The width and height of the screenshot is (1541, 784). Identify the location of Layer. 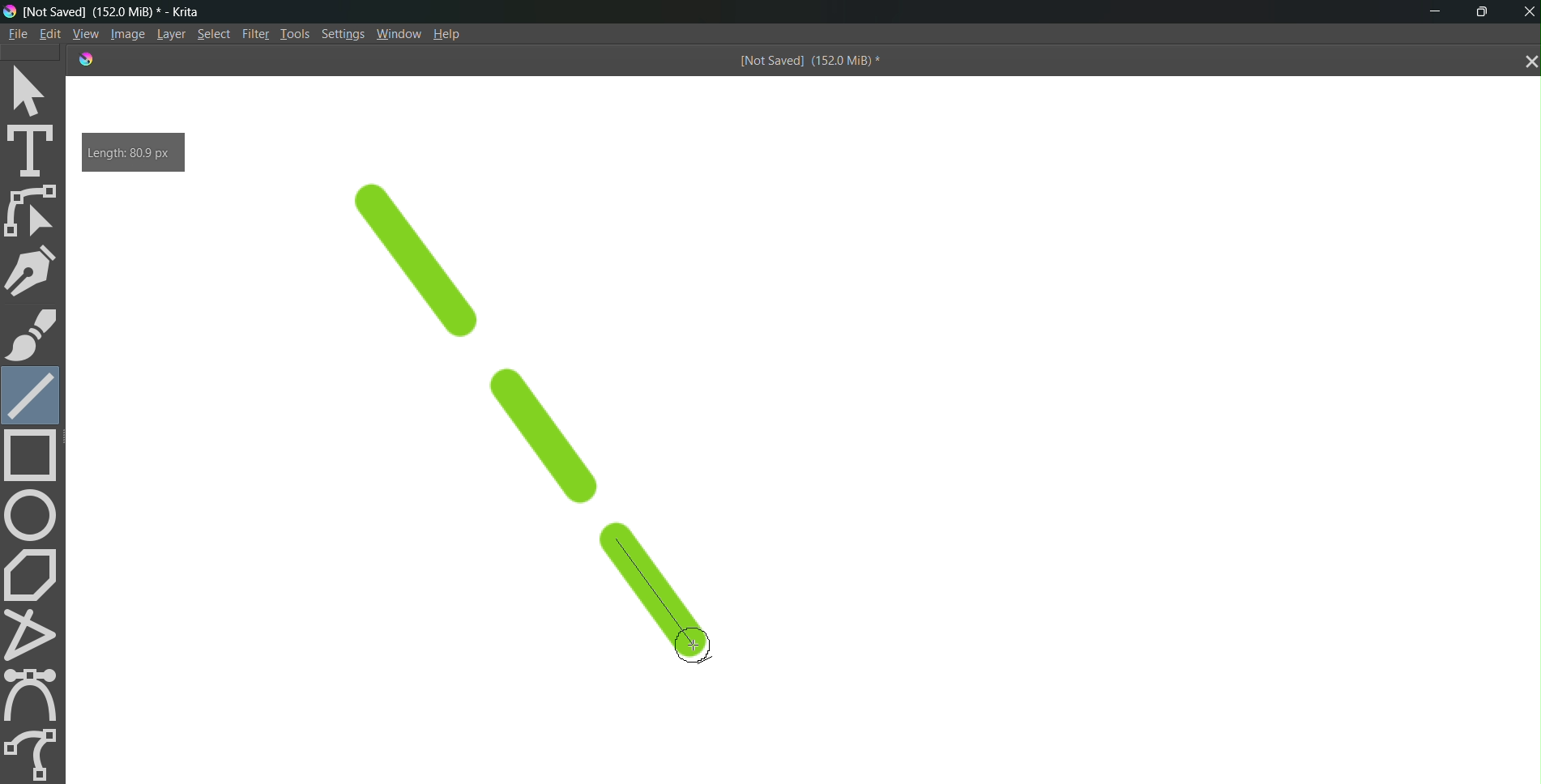
(168, 35).